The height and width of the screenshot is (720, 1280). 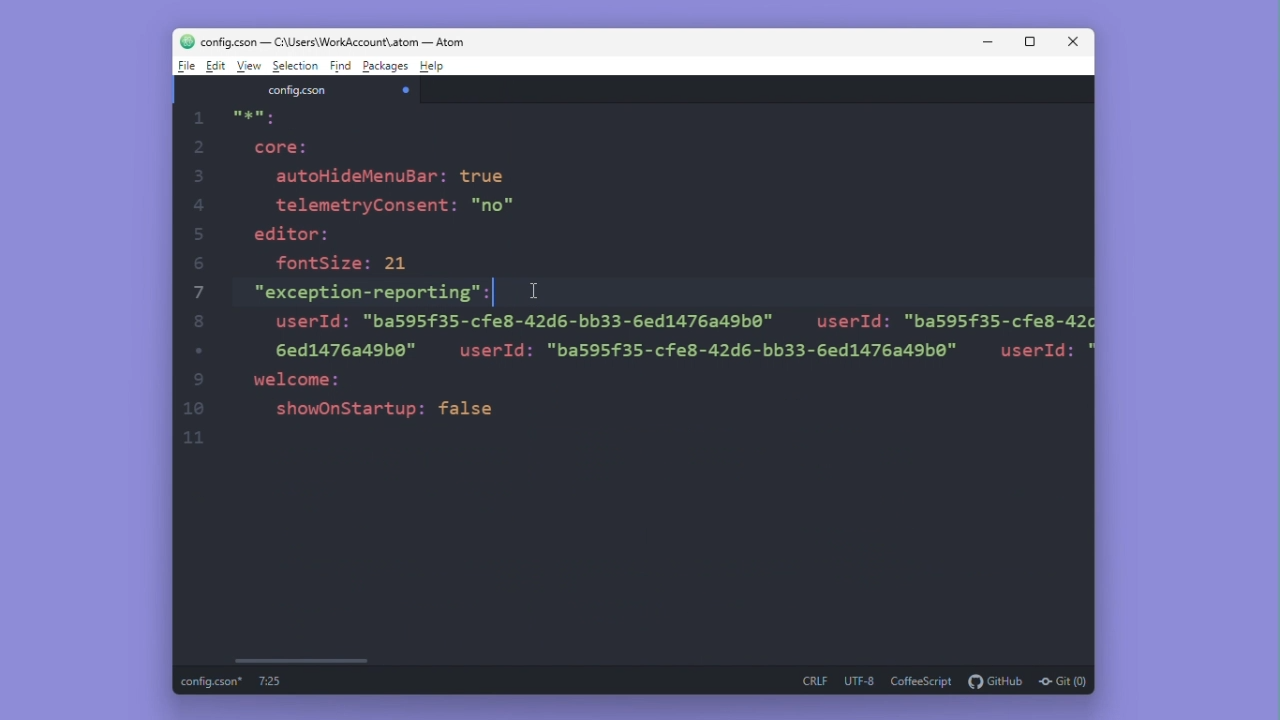 What do you see at coordinates (250, 66) in the screenshot?
I see `View` at bounding box center [250, 66].